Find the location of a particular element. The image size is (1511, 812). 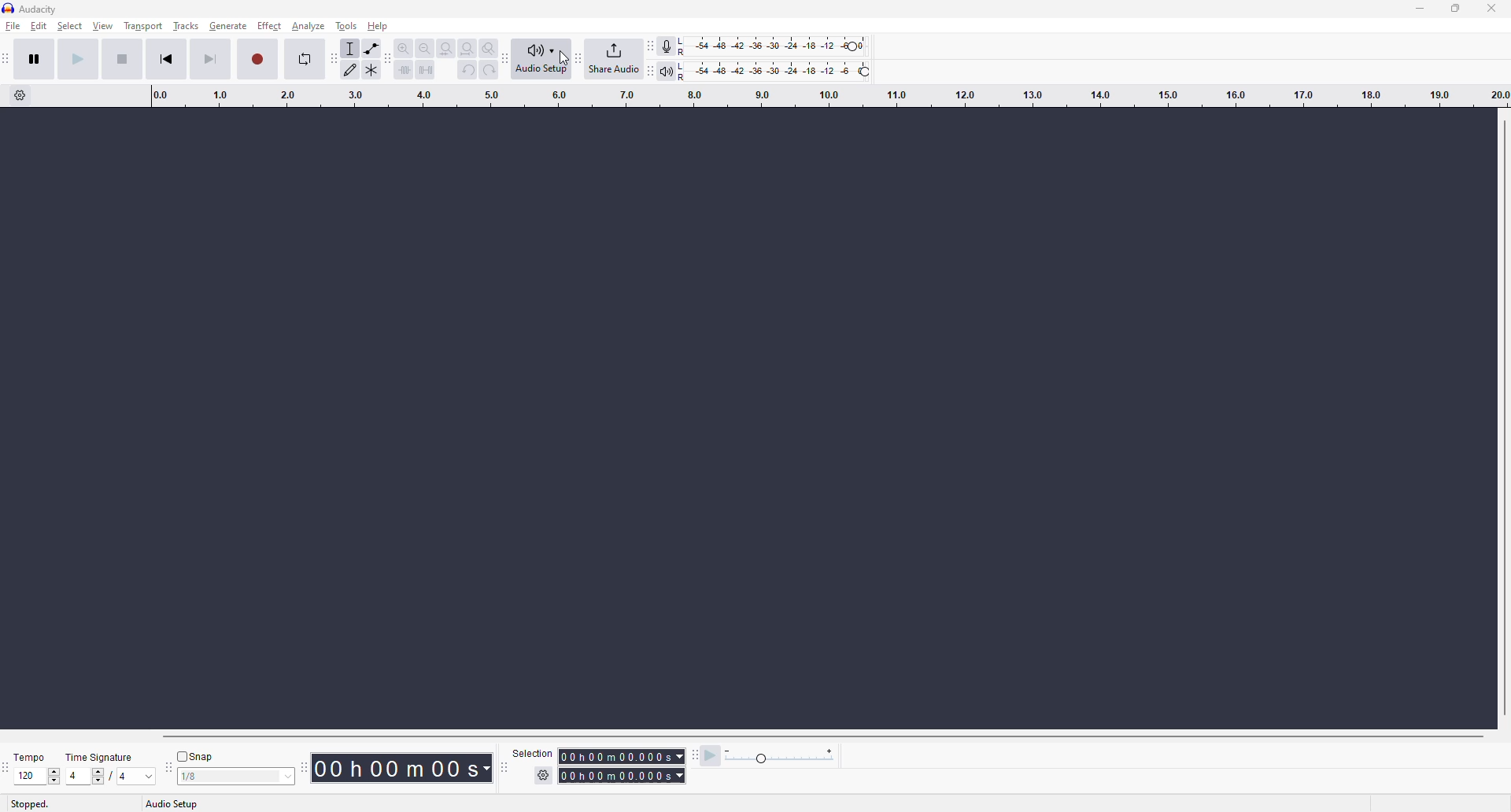

zoom toggle is located at coordinates (486, 47).